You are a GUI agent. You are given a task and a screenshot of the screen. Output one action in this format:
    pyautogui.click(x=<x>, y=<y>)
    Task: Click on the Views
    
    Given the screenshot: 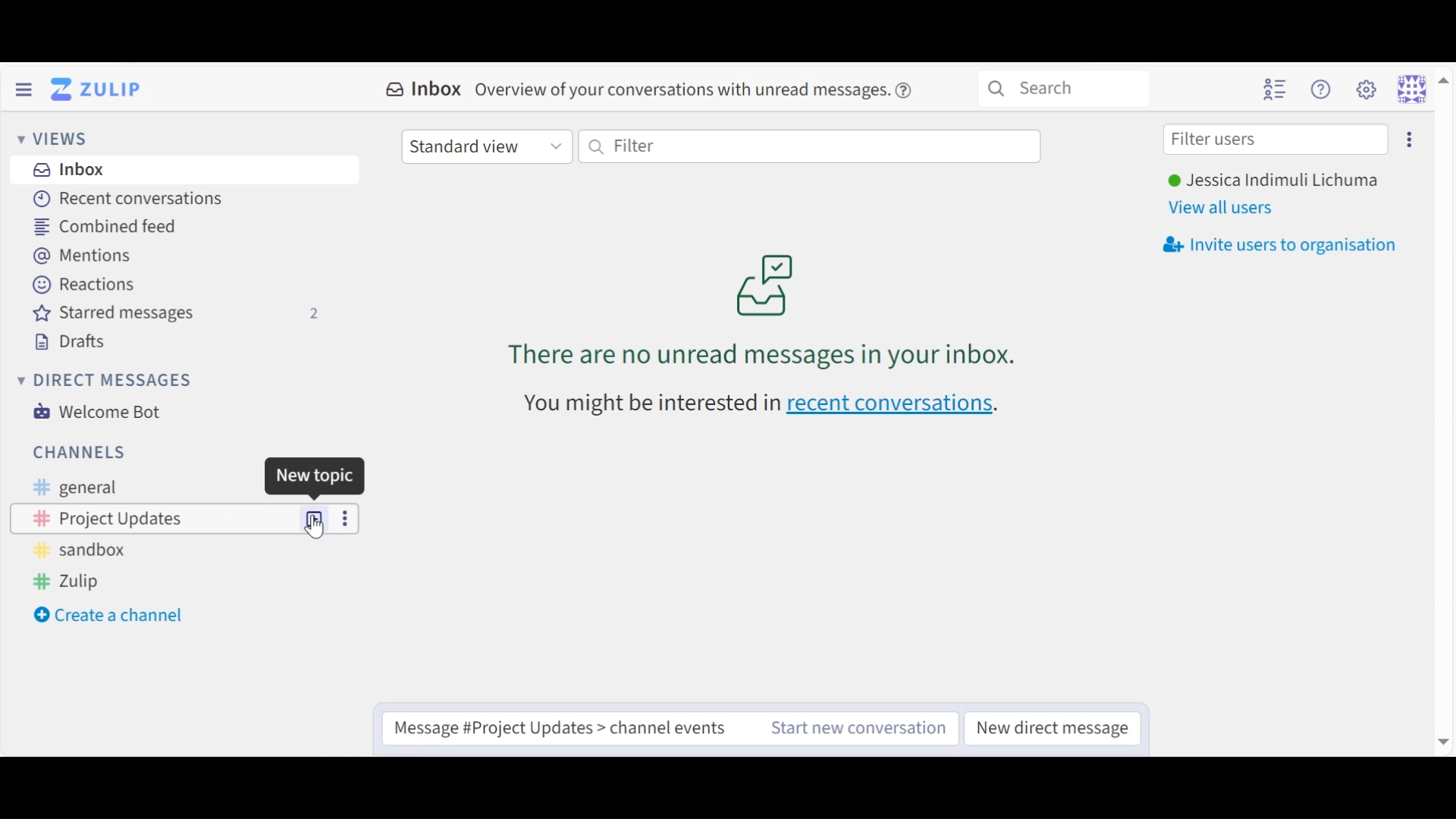 What is the action you would take?
    pyautogui.click(x=58, y=139)
    